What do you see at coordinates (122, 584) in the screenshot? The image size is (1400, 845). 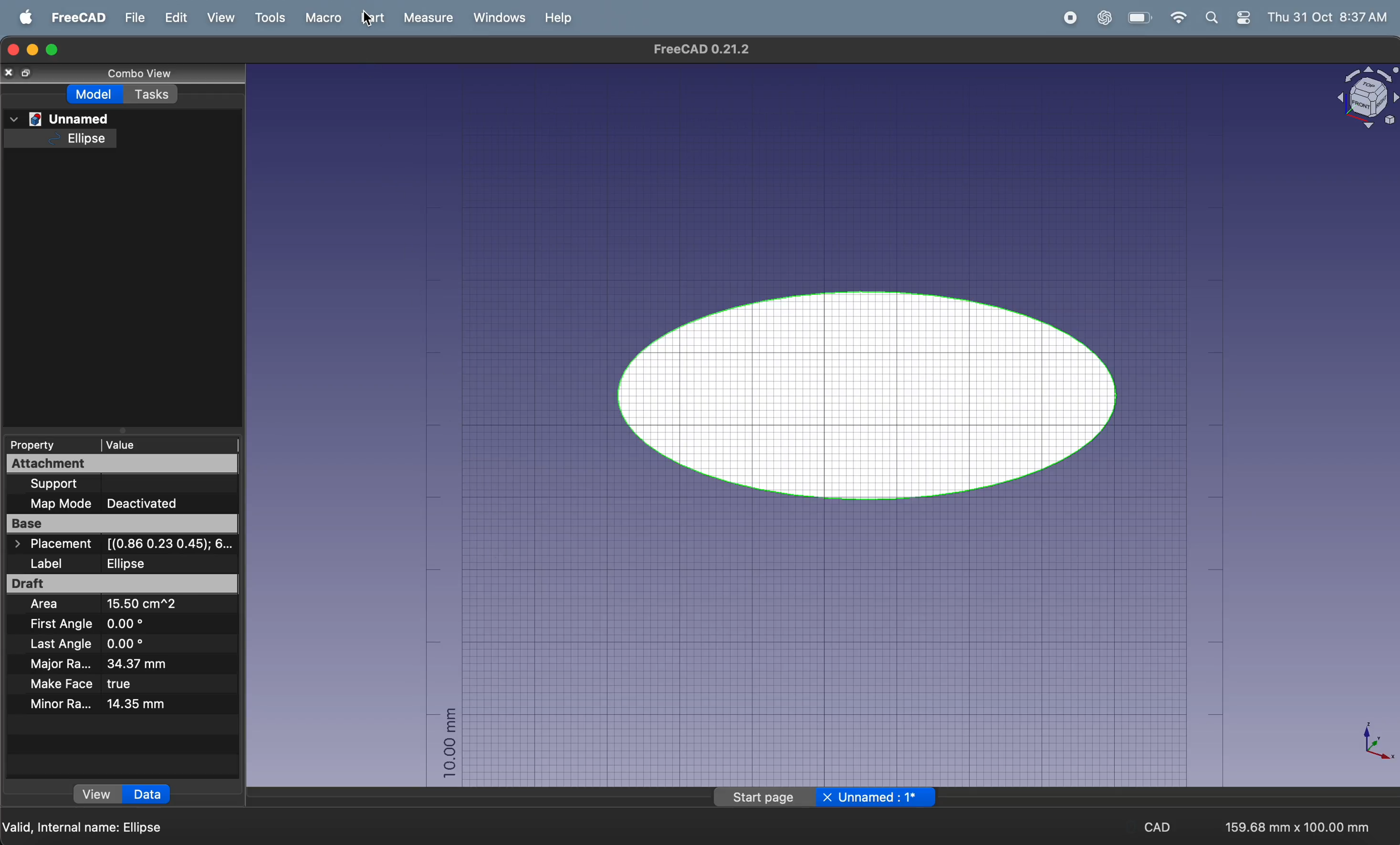 I see `draft` at bounding box center [122, 584].